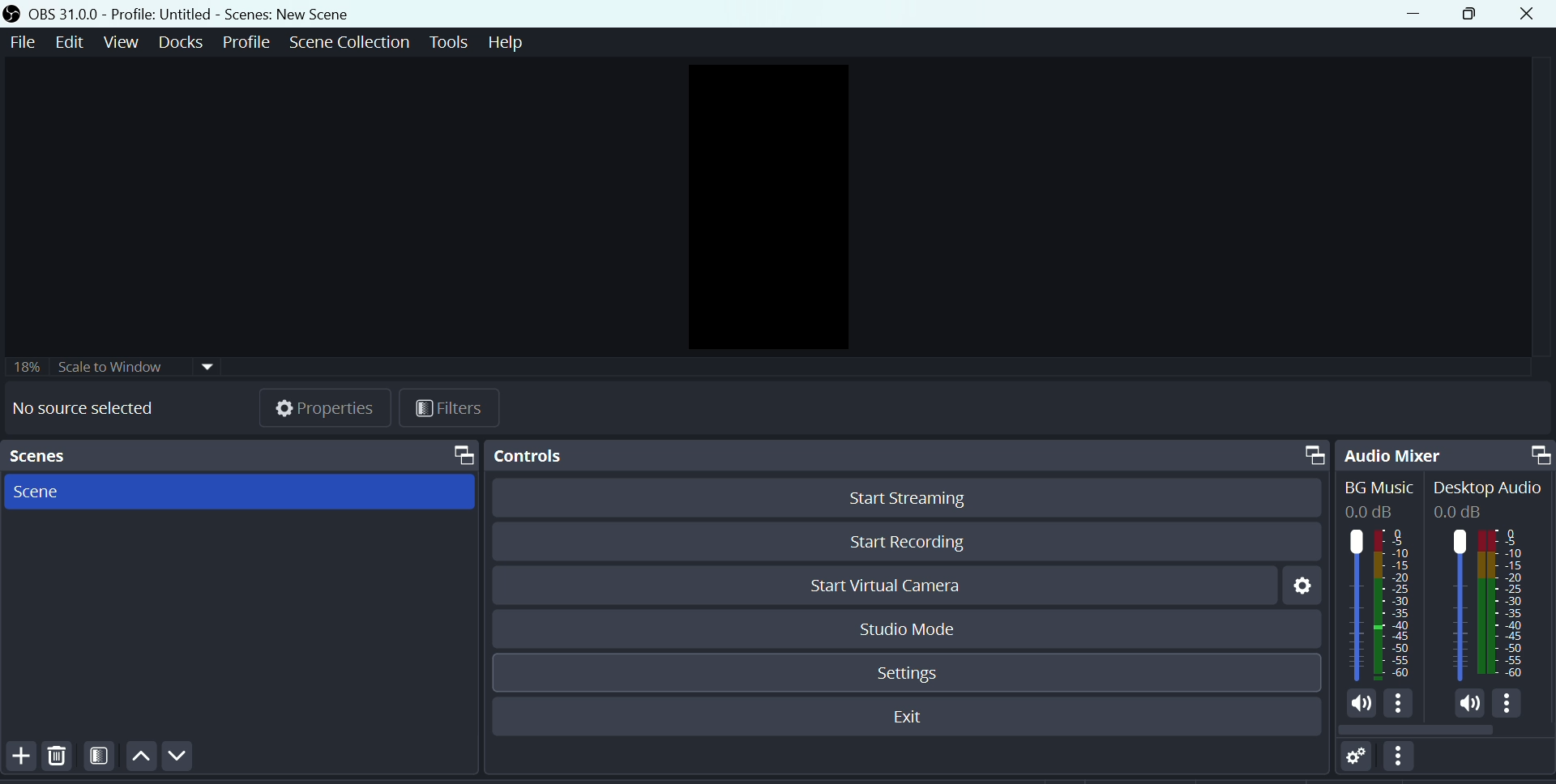 The height and width of the screenshot is (784, 1556). I want to click on help, so click(511, 46).